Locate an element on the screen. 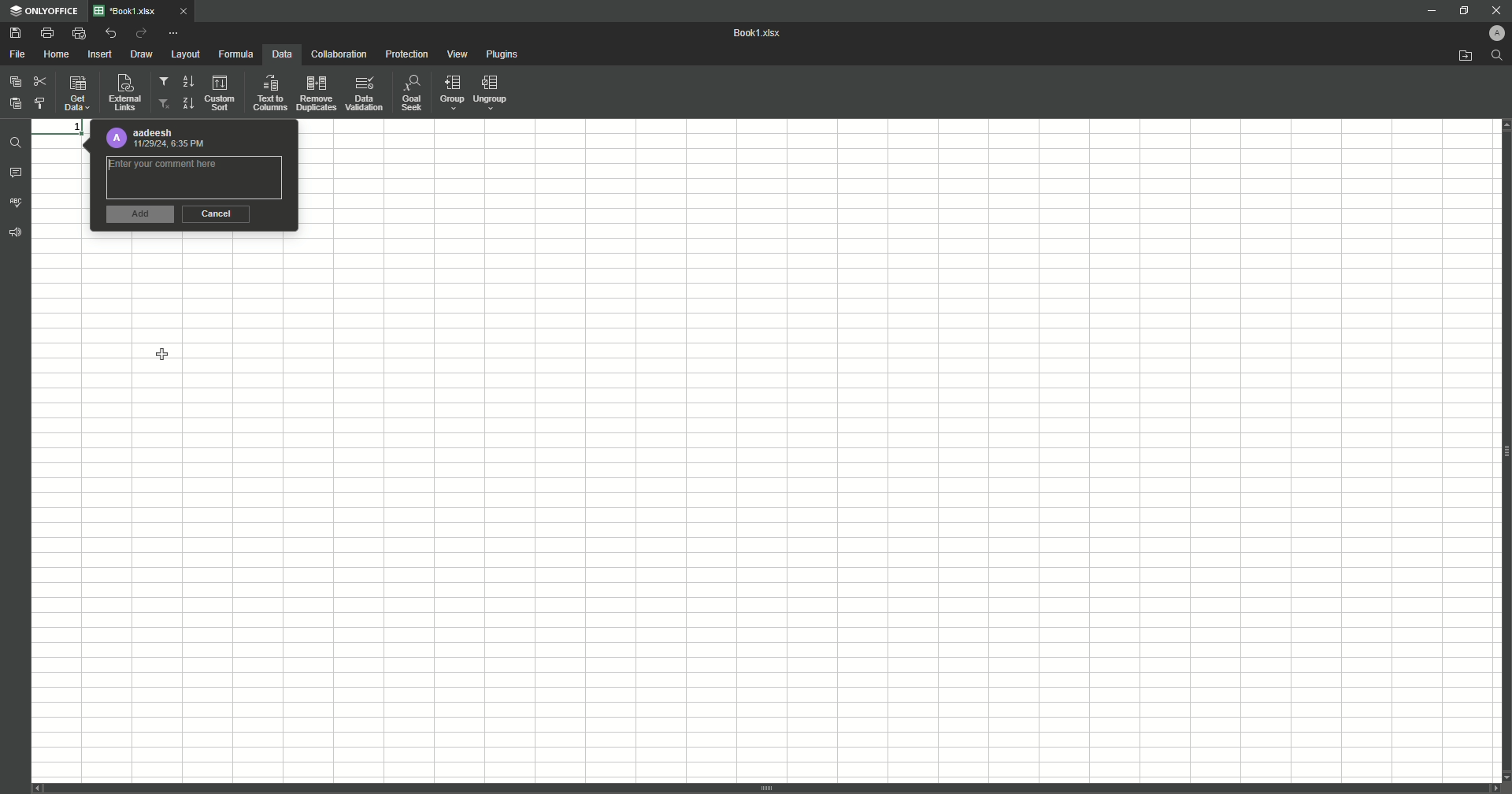 The image size is (1512, 794). Find is located at coordinates (17, 141).